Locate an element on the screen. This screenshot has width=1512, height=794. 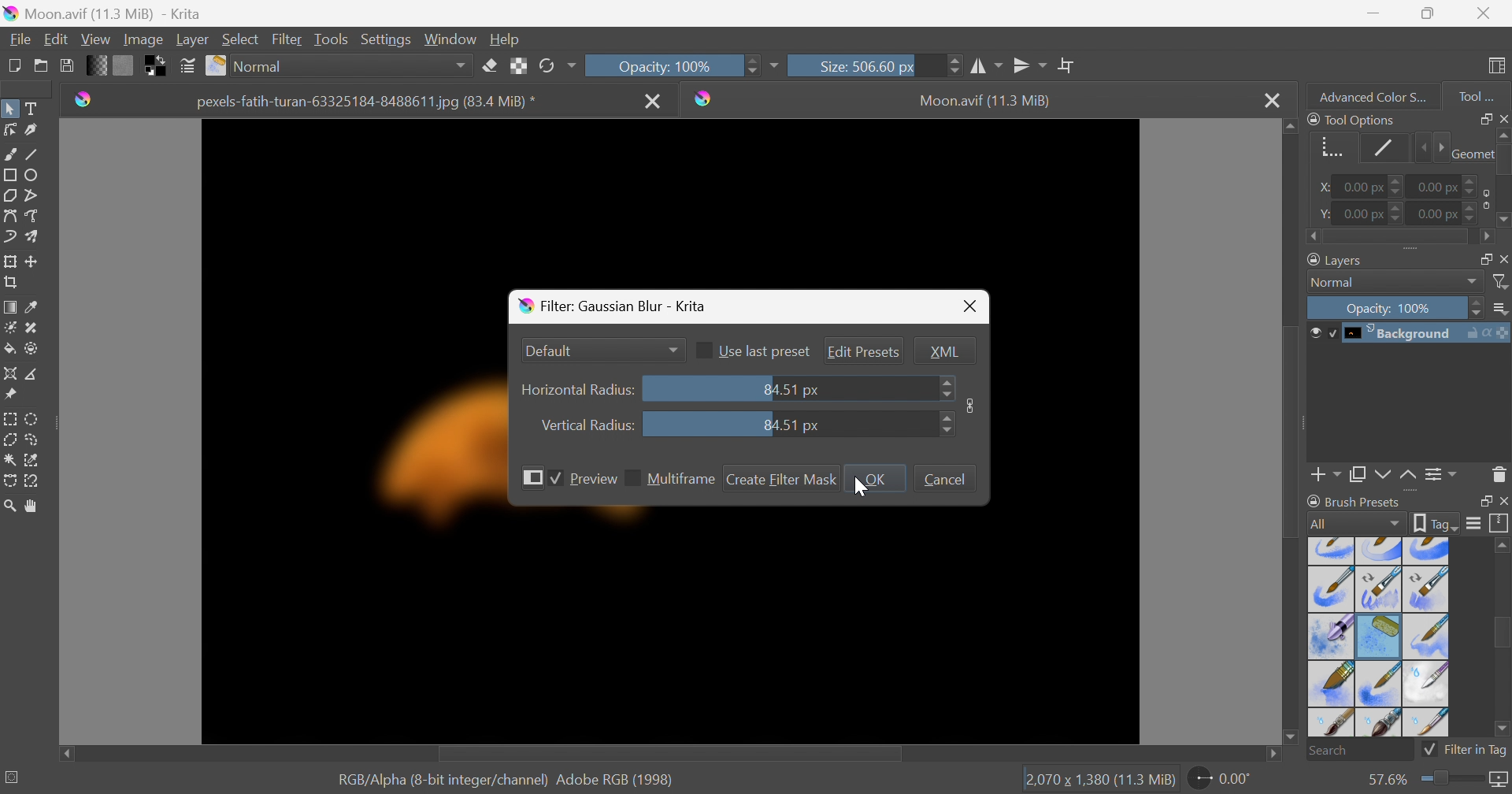
Scroll up is located at coordinates (1289, 126).